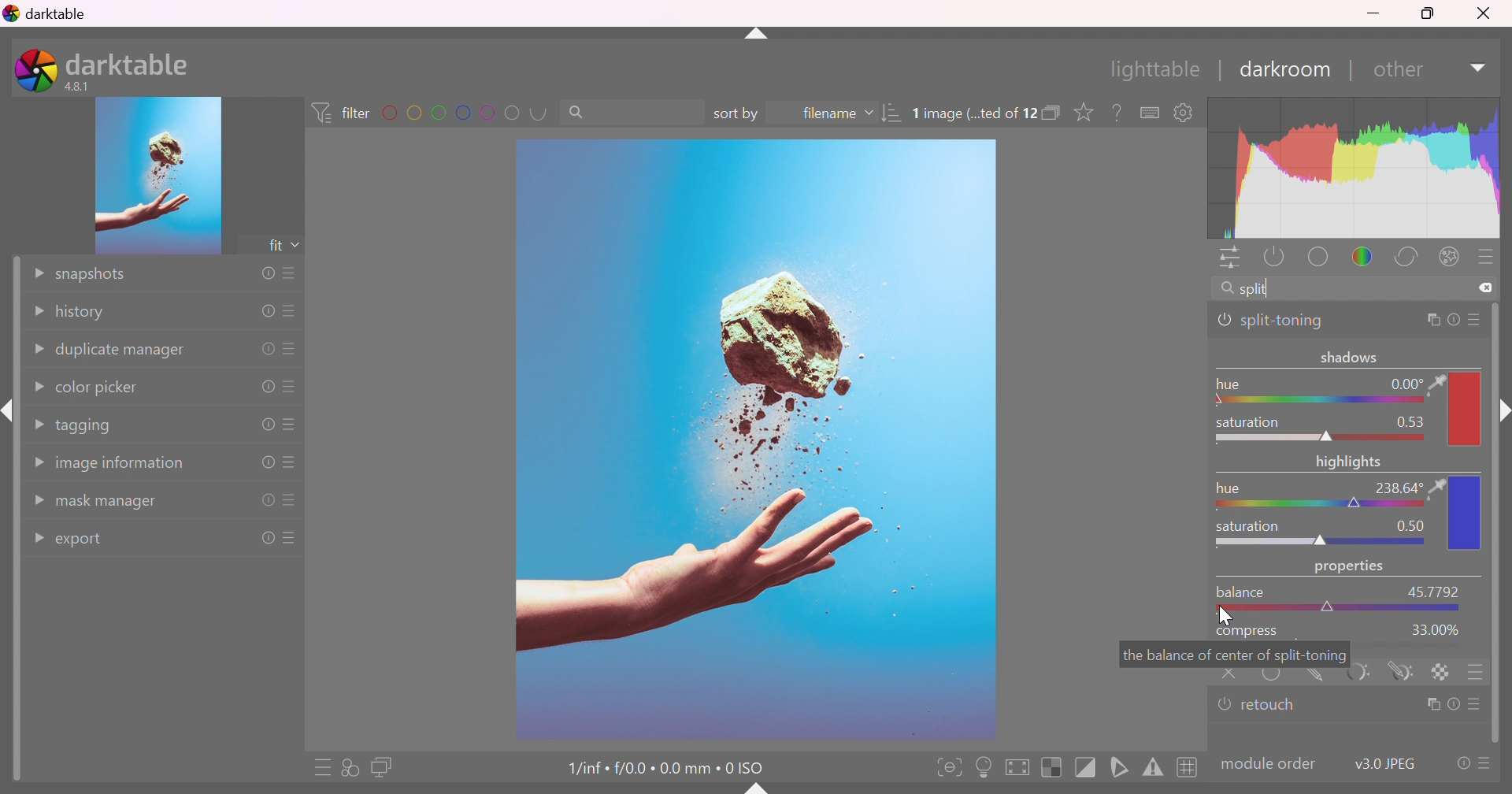  What do you see at coordinates (264, 274) in the screenshot?
I see `reset` at bounding box center [264, 274].